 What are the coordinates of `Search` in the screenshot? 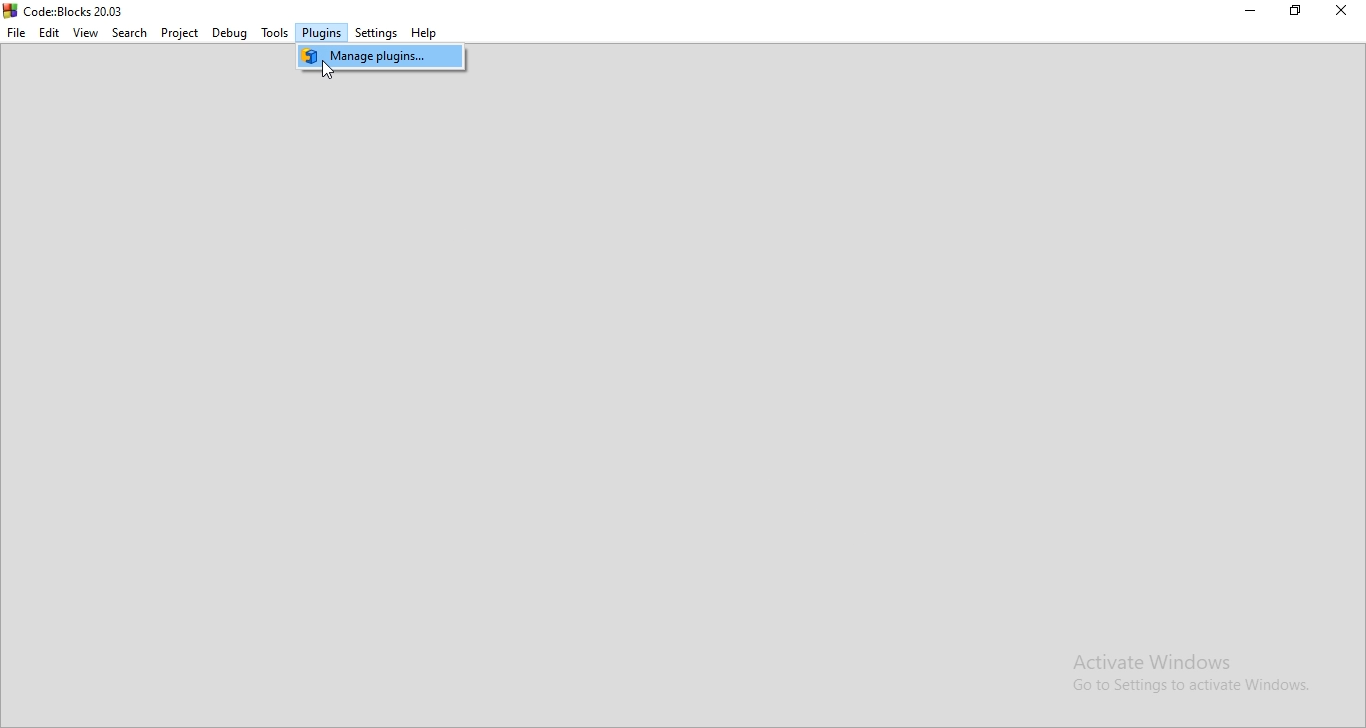 It's located at (128, 34).